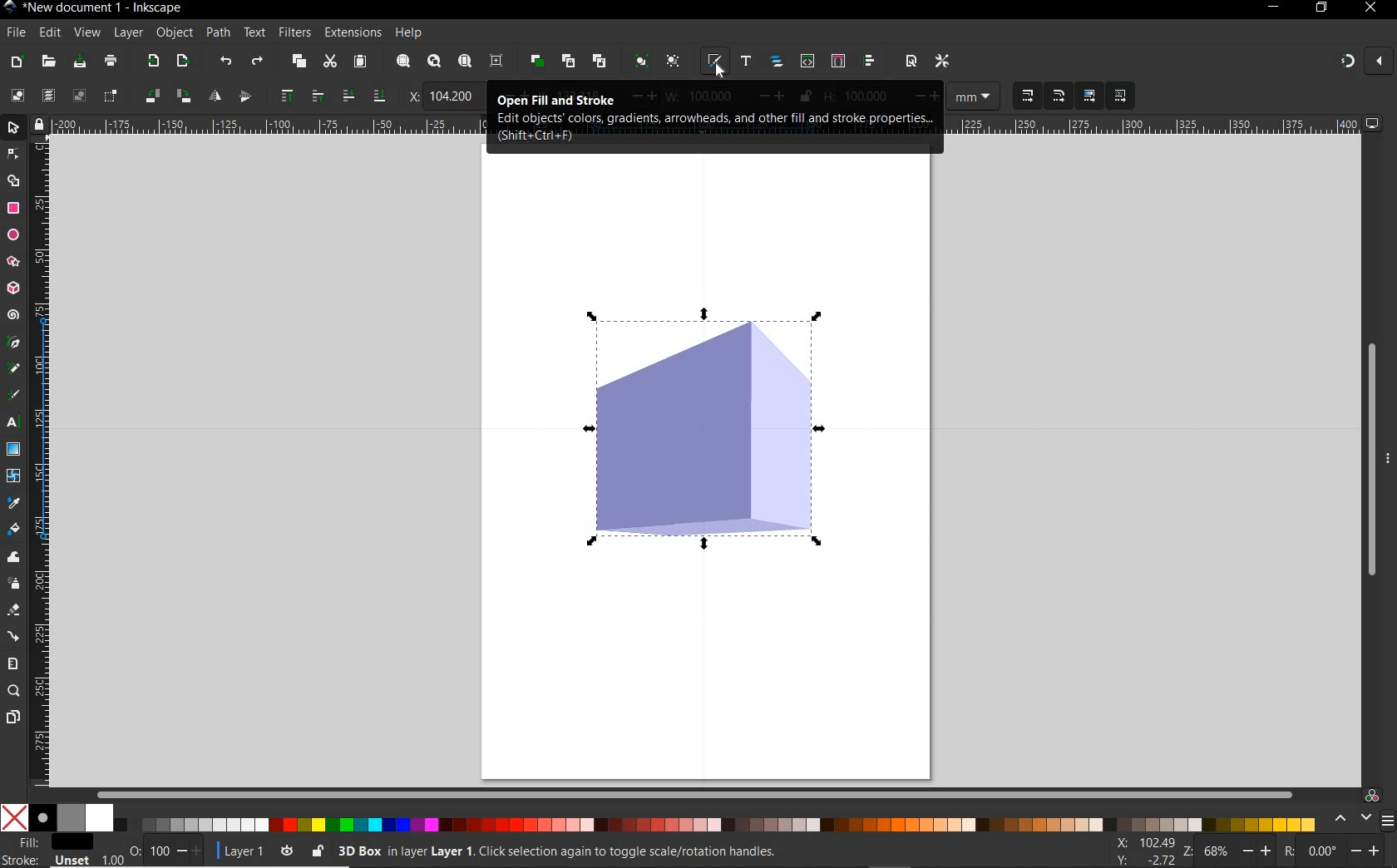 This screenshot has width=1397, height=868. Describe the element at coordinates (13, 209) in the screenshot. I see `RECTANGLE TOOL` at that location.